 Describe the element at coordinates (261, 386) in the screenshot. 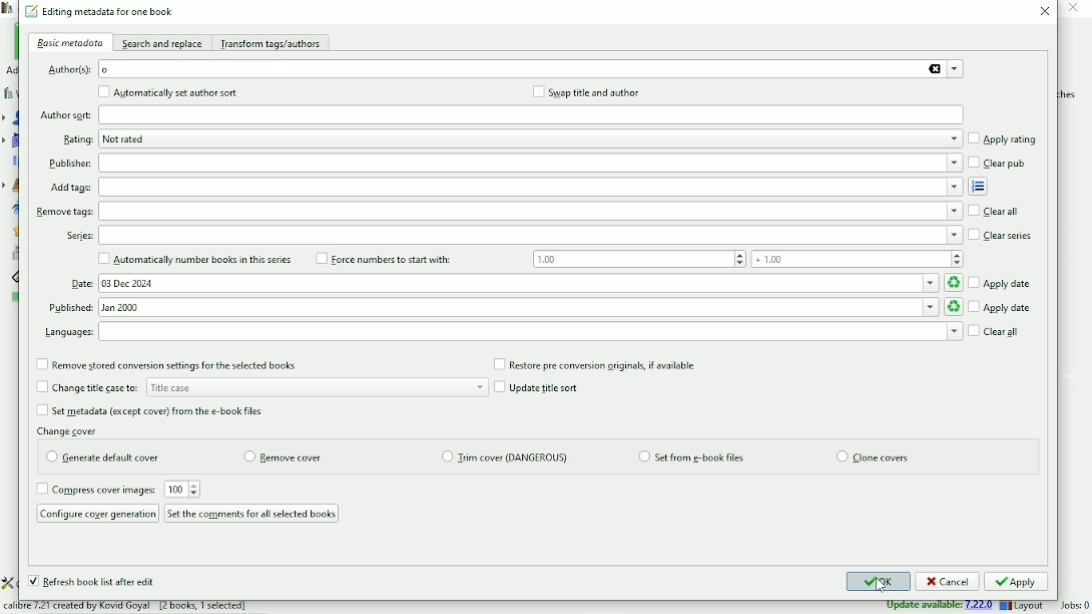

I see `Change title case to` at that location.